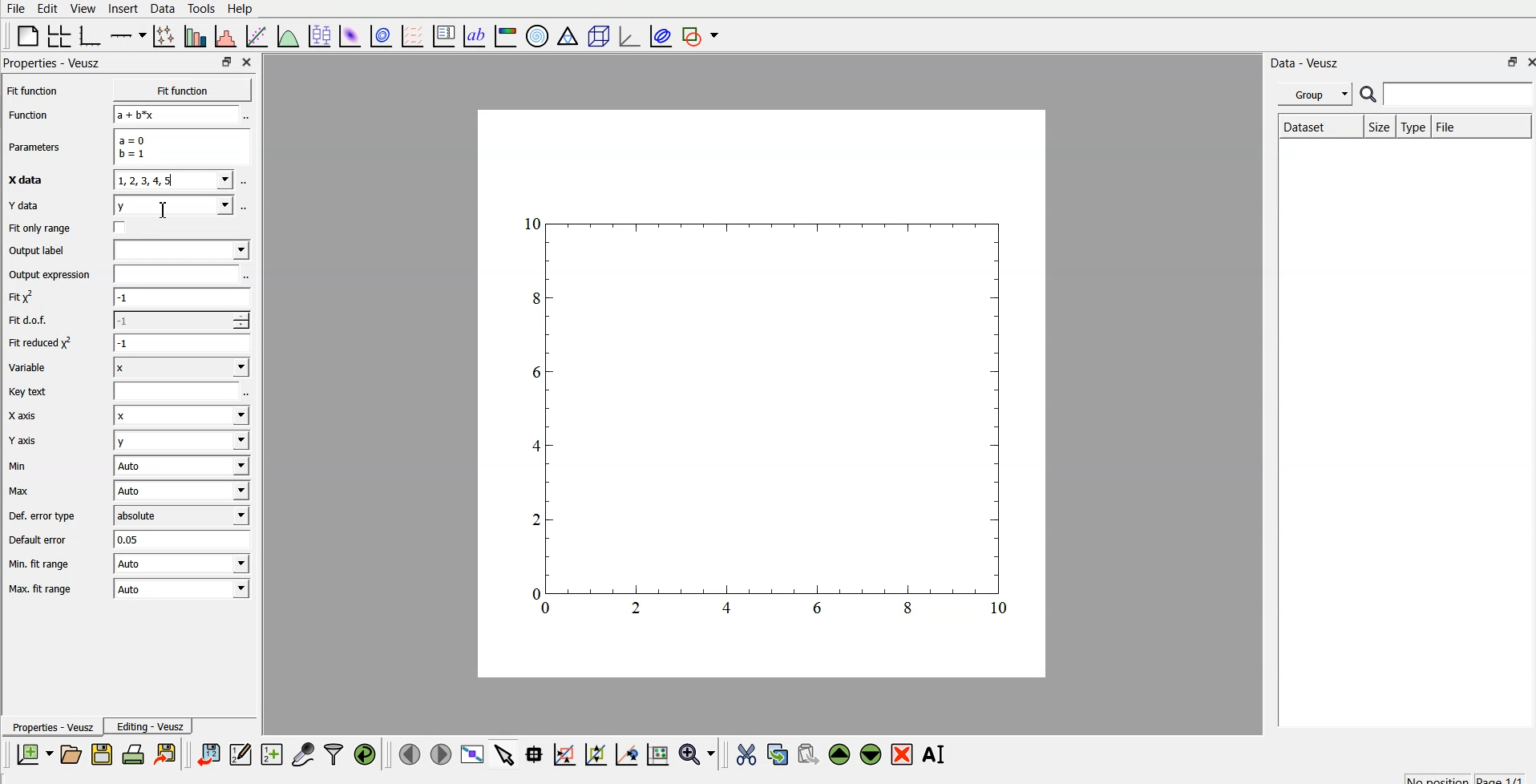  What do you see at coordinates (44, 116) in the screenshot?
I see `Function` at bounding box center [44, 116].